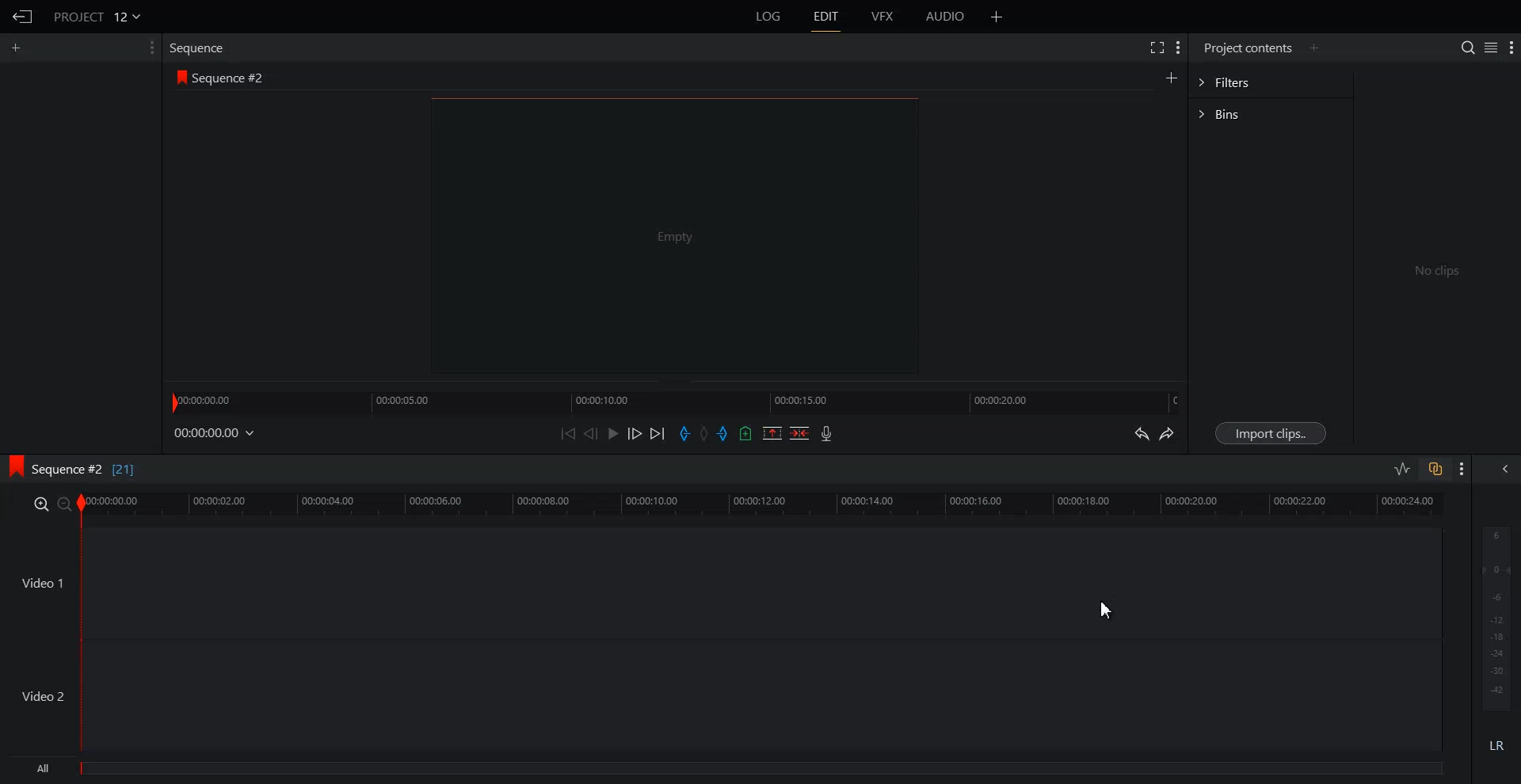 Image resolution: width=1521 pixels, height=784 pixels. What do you see at coordinates (723, 434) in the screenshot?
I see `Add out mark in the current video` at bounding box center [723, 434].